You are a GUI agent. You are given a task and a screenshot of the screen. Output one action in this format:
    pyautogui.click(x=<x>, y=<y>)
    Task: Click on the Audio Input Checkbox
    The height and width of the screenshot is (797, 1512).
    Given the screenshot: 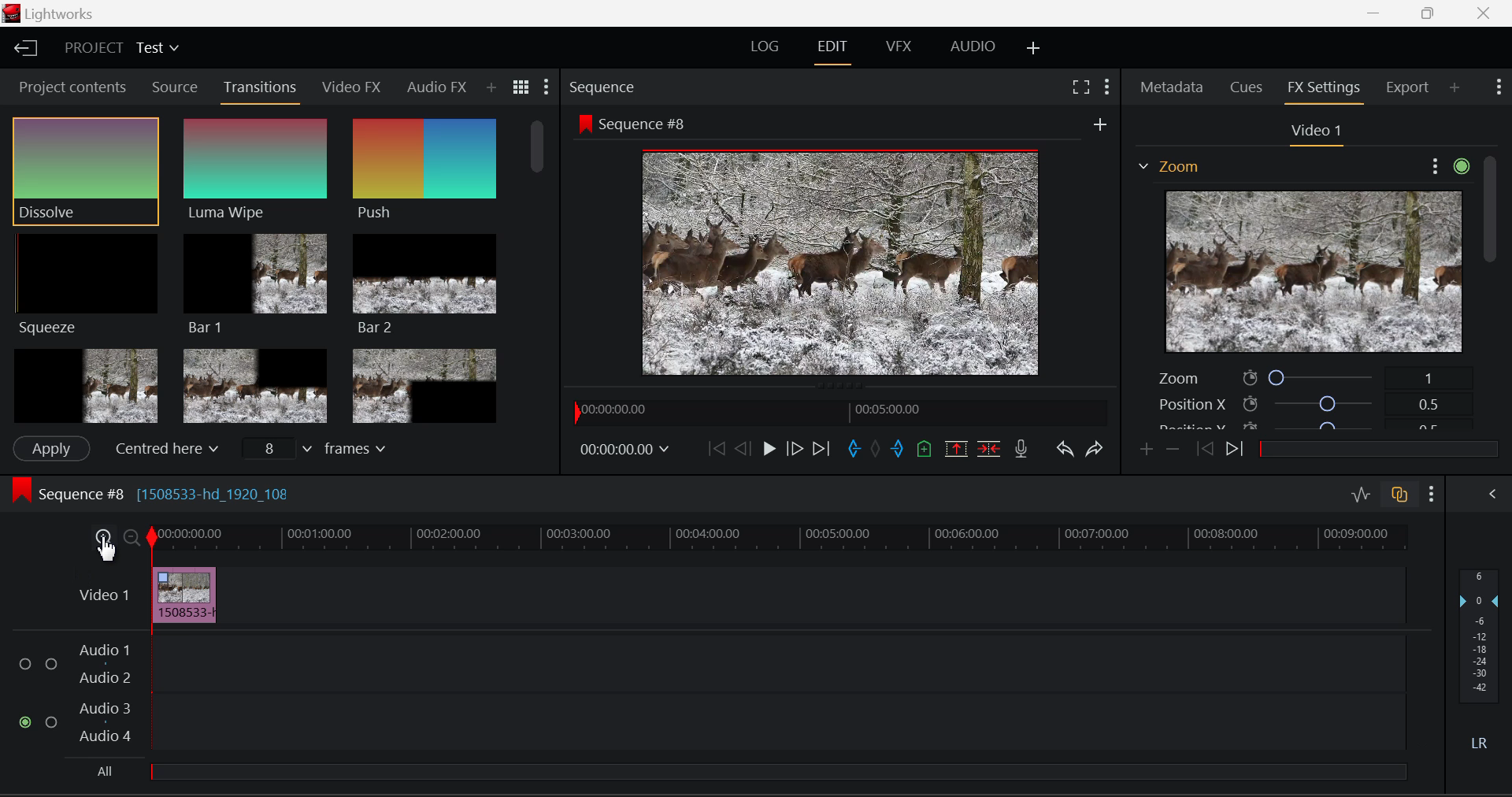 What is the action you would take?
    pyautogui.click(x=24, y=665)
    